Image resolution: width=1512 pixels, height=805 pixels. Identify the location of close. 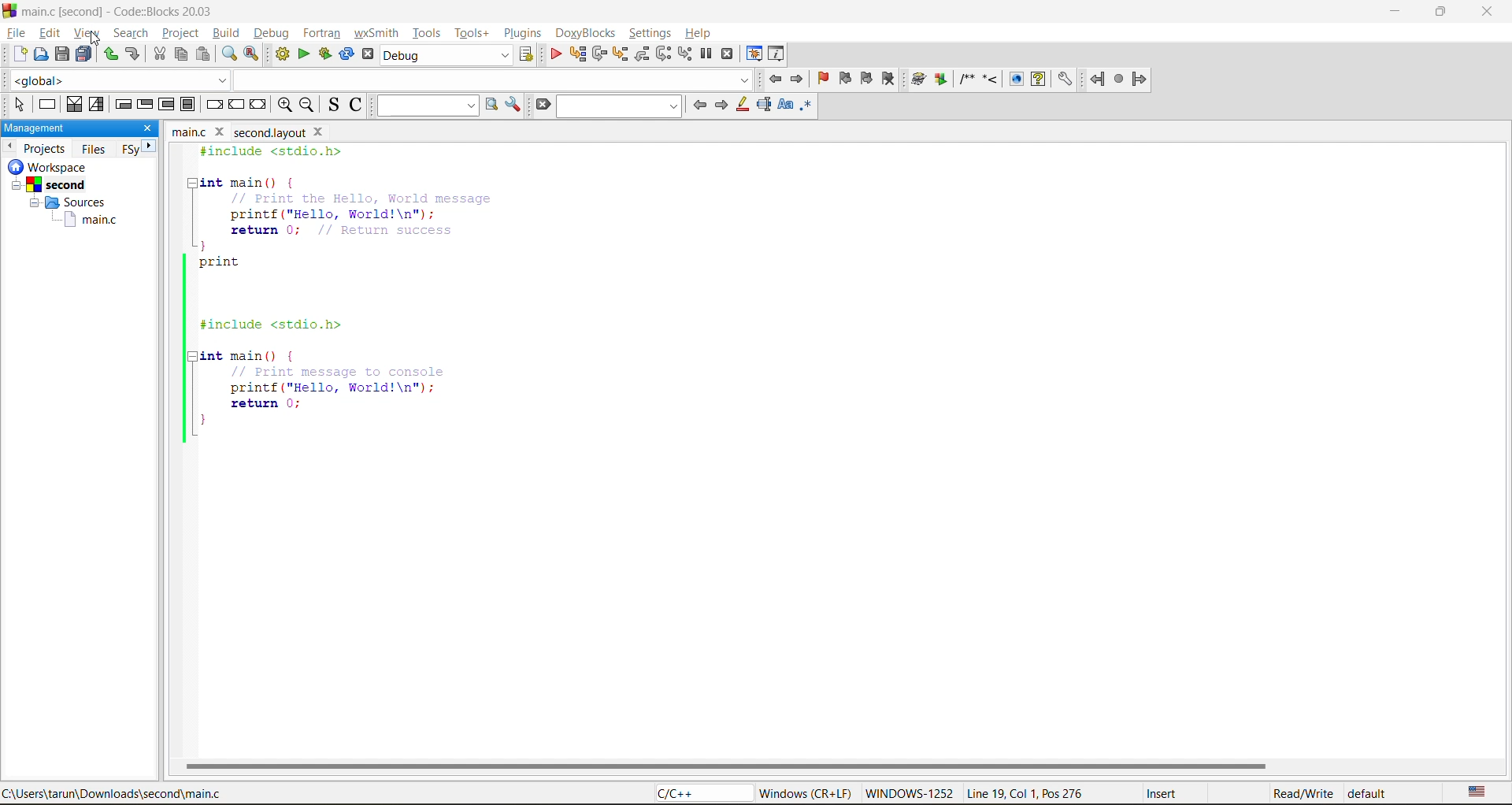
(1492, 14).